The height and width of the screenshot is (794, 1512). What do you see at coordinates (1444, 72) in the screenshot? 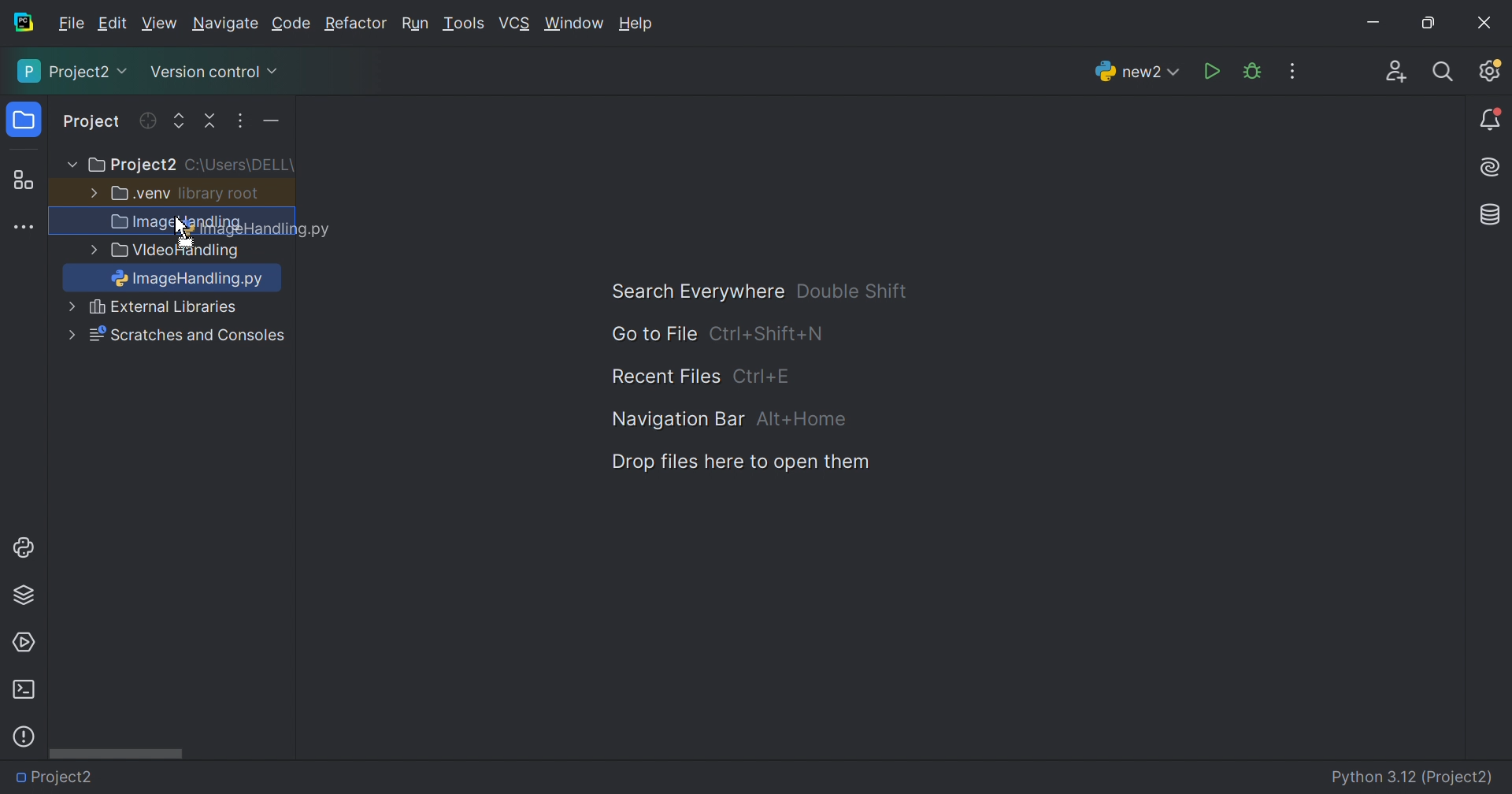
I see `Search everywhere` at bounding box center [1444, 72].